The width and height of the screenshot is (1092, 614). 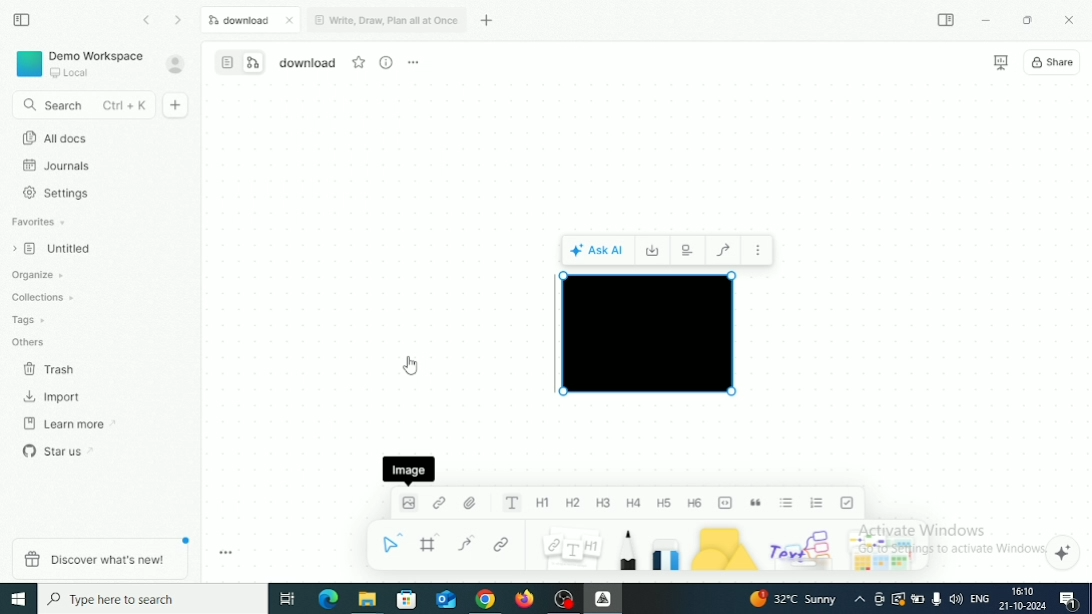 I want to click on To-do list, so click(x=849, y=502).